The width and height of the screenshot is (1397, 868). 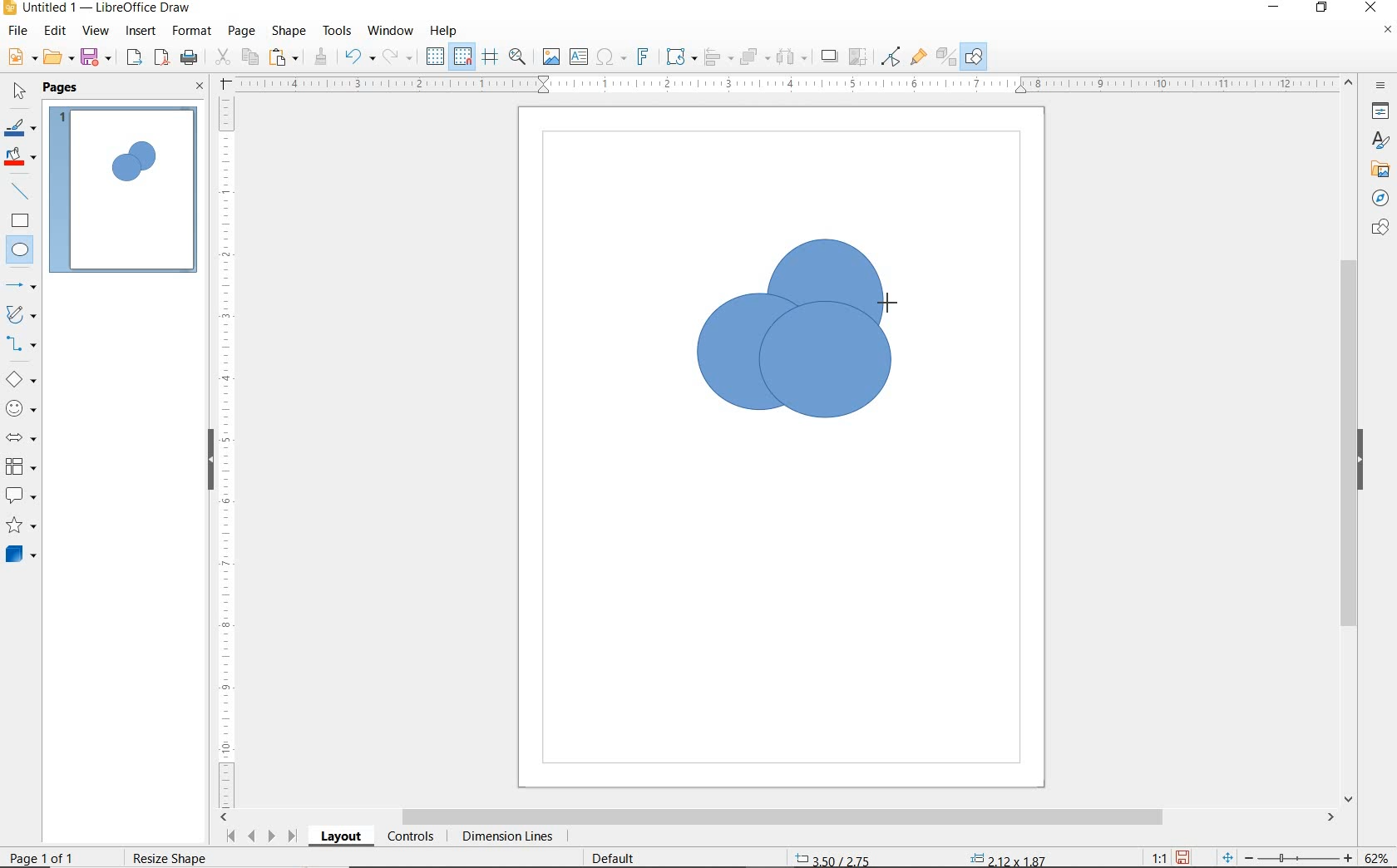 What do you see at coordinates (1383, 114) in the screenshot?
I see `PROPERTIES` at bounding box center [1383, 114].